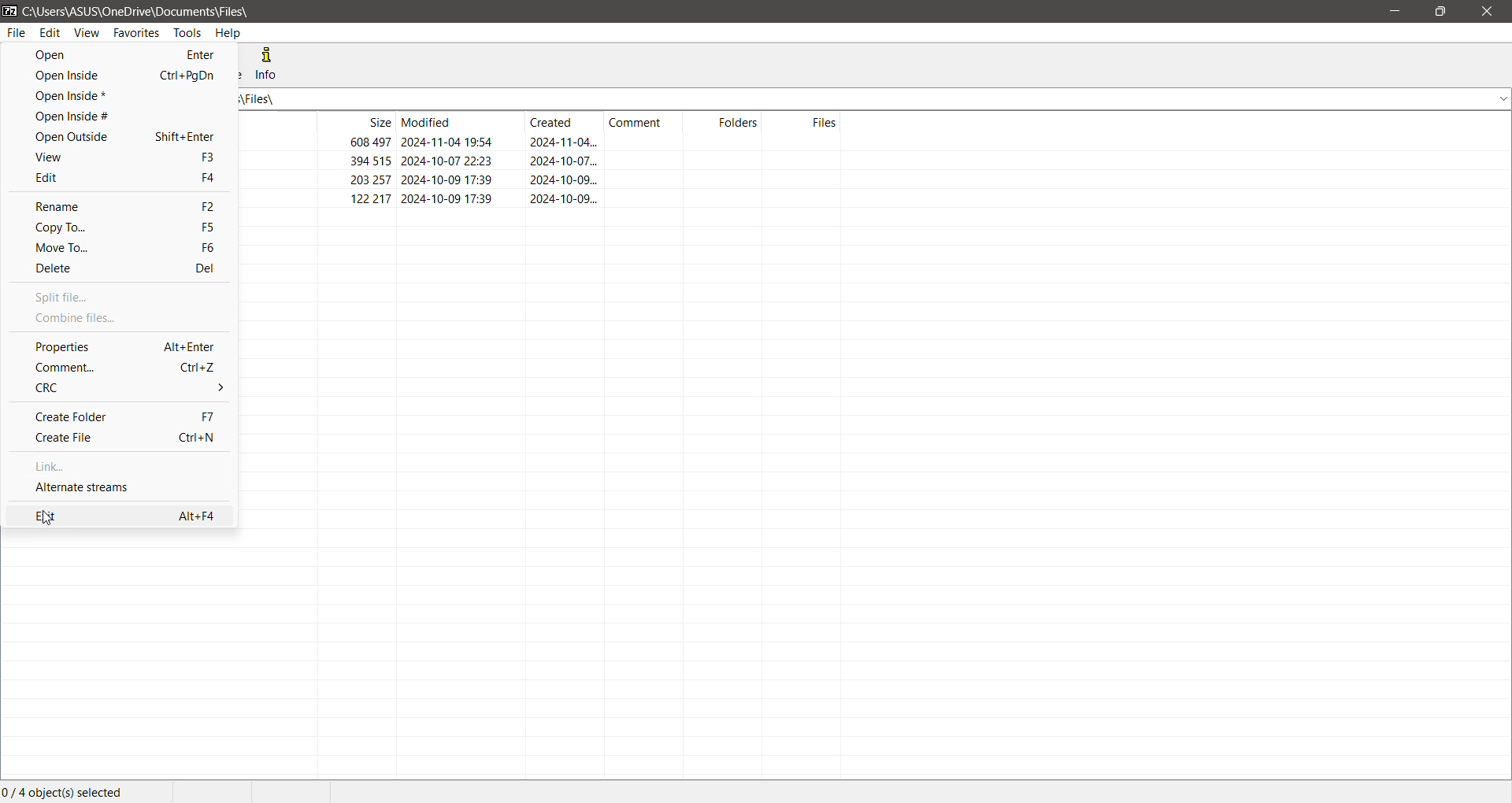  I want to click on 2024-10-09..., so click(561, 200).